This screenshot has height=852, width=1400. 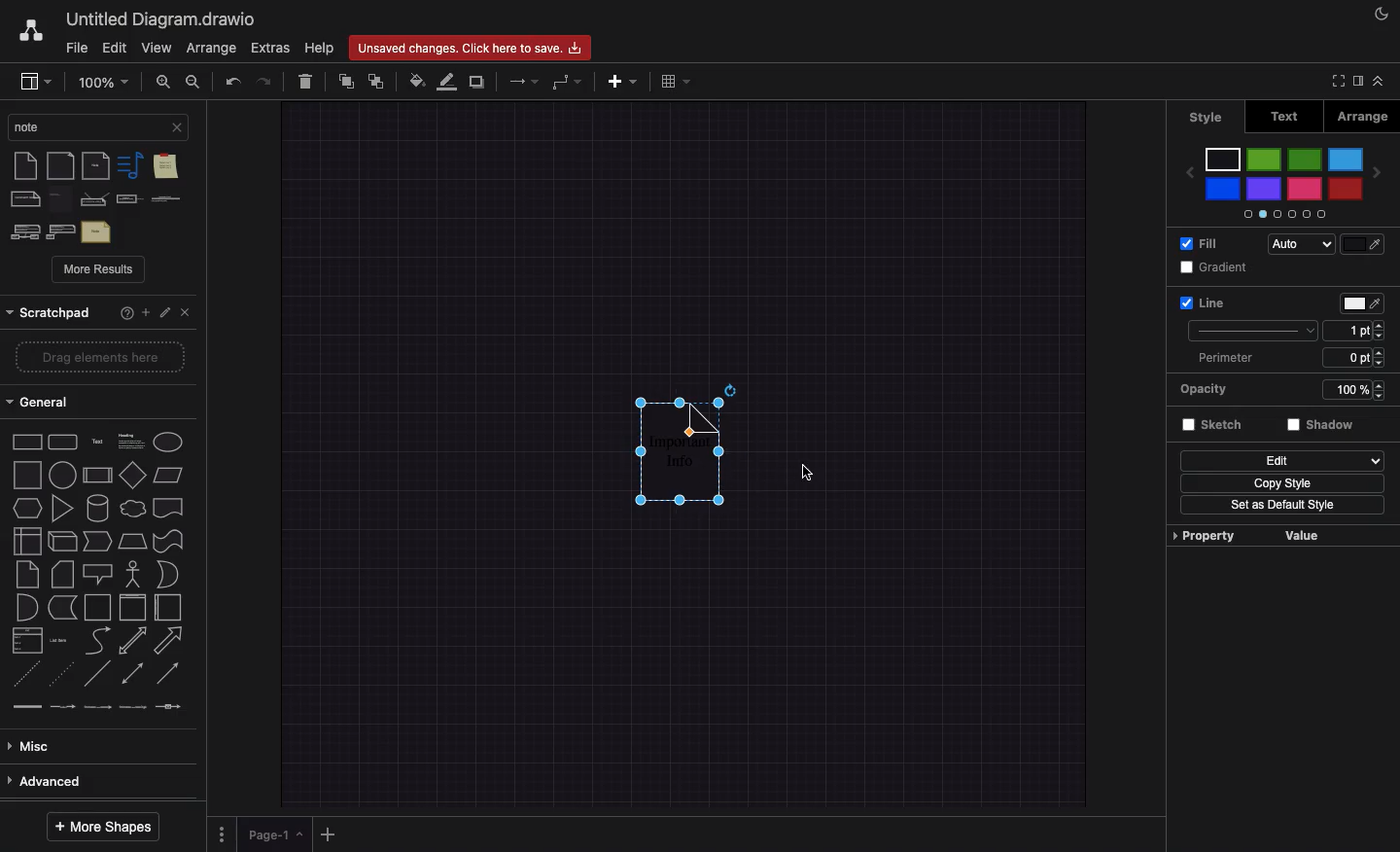 What do you see at coordinates (189, 314) in the screenshot?
I see `close` at bounding box center [189, 314].